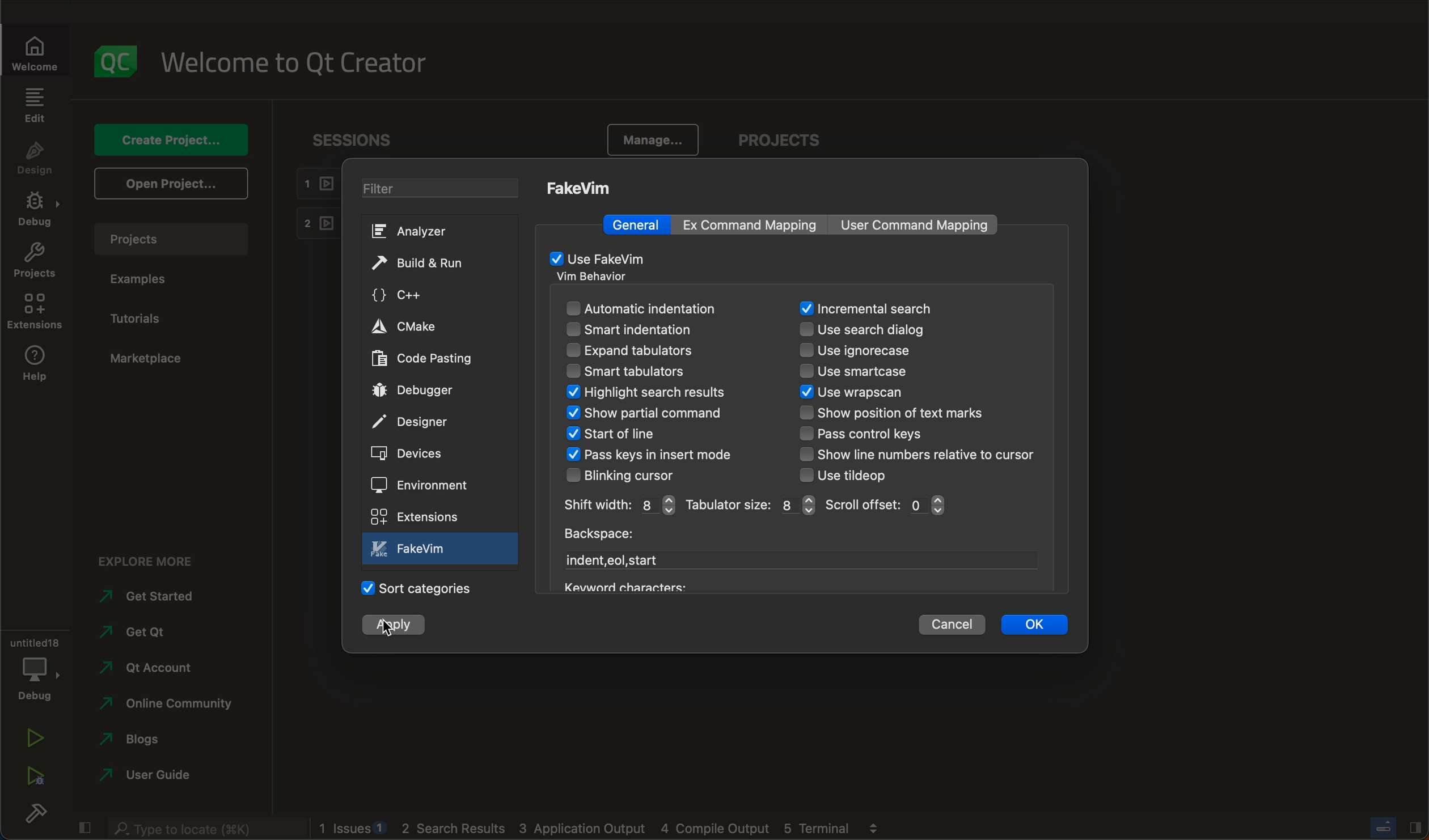 This screenshot has height=840, width=1429. What do you see at coordinates (895, 415) in the screenshot?
I see `text marks` at bounding box center [895, 415].